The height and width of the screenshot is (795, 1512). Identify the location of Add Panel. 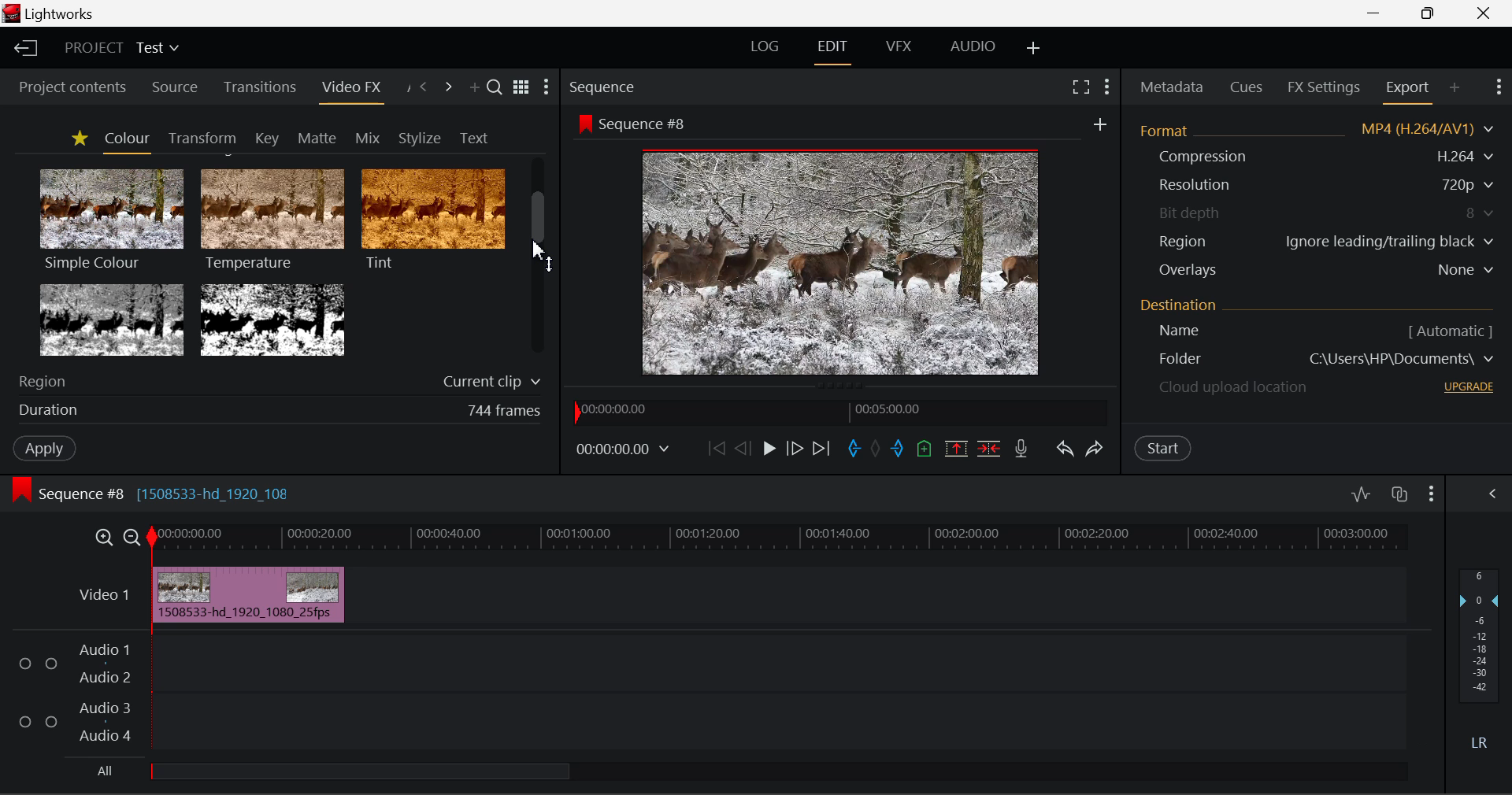
(1454, 92).